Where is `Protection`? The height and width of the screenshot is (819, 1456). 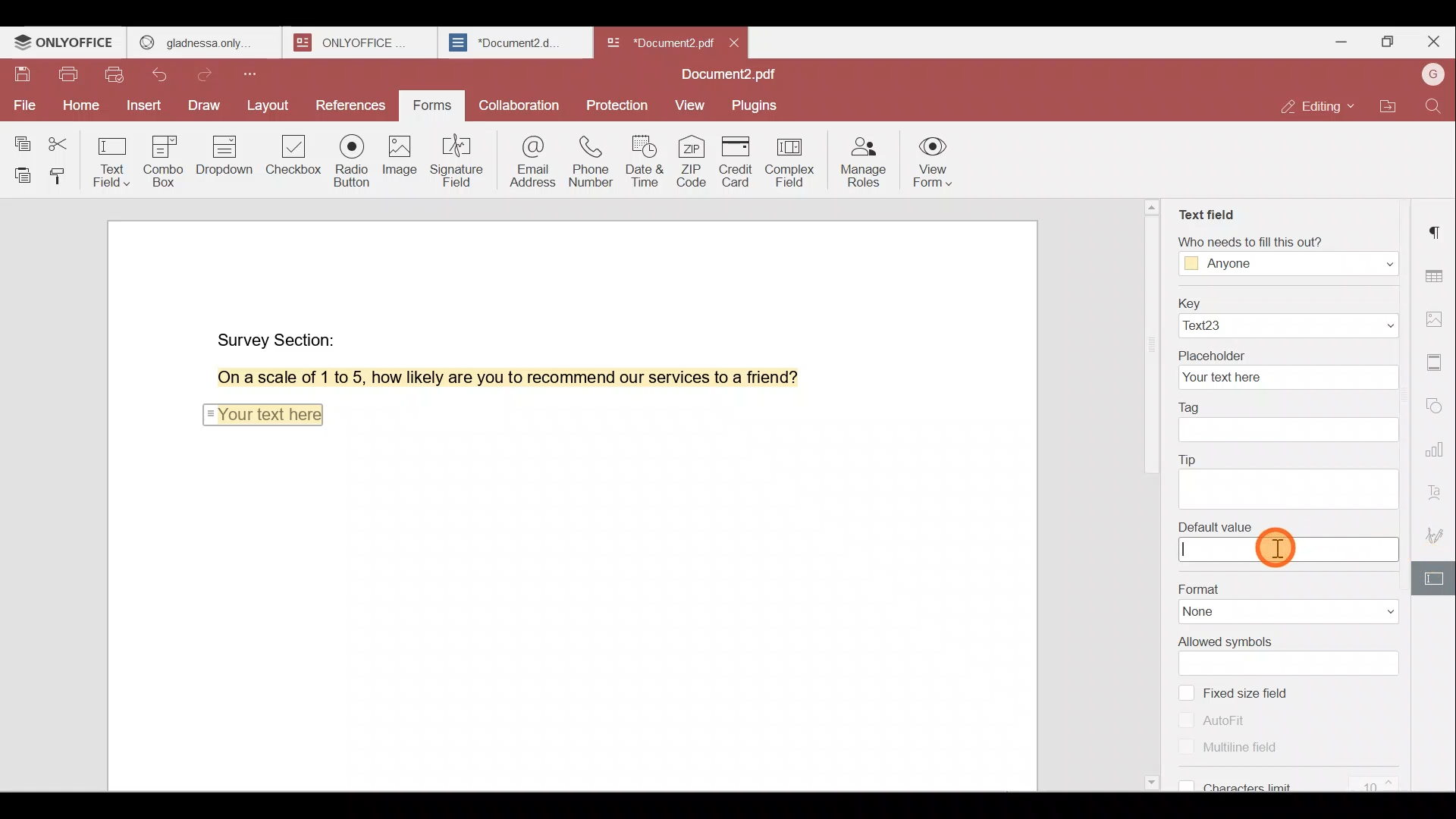 Protection is located at coordinates (620, 101).